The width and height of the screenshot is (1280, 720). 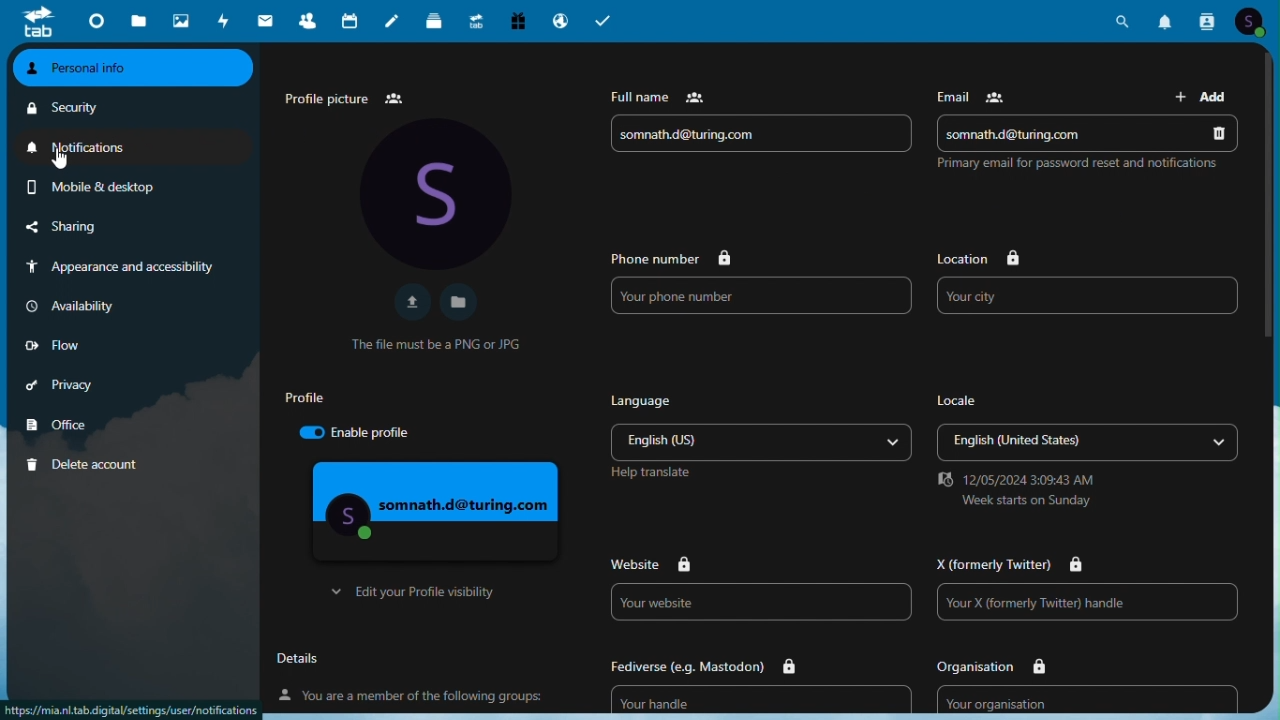 I want to click on Open file, so click(x=457, y=303).